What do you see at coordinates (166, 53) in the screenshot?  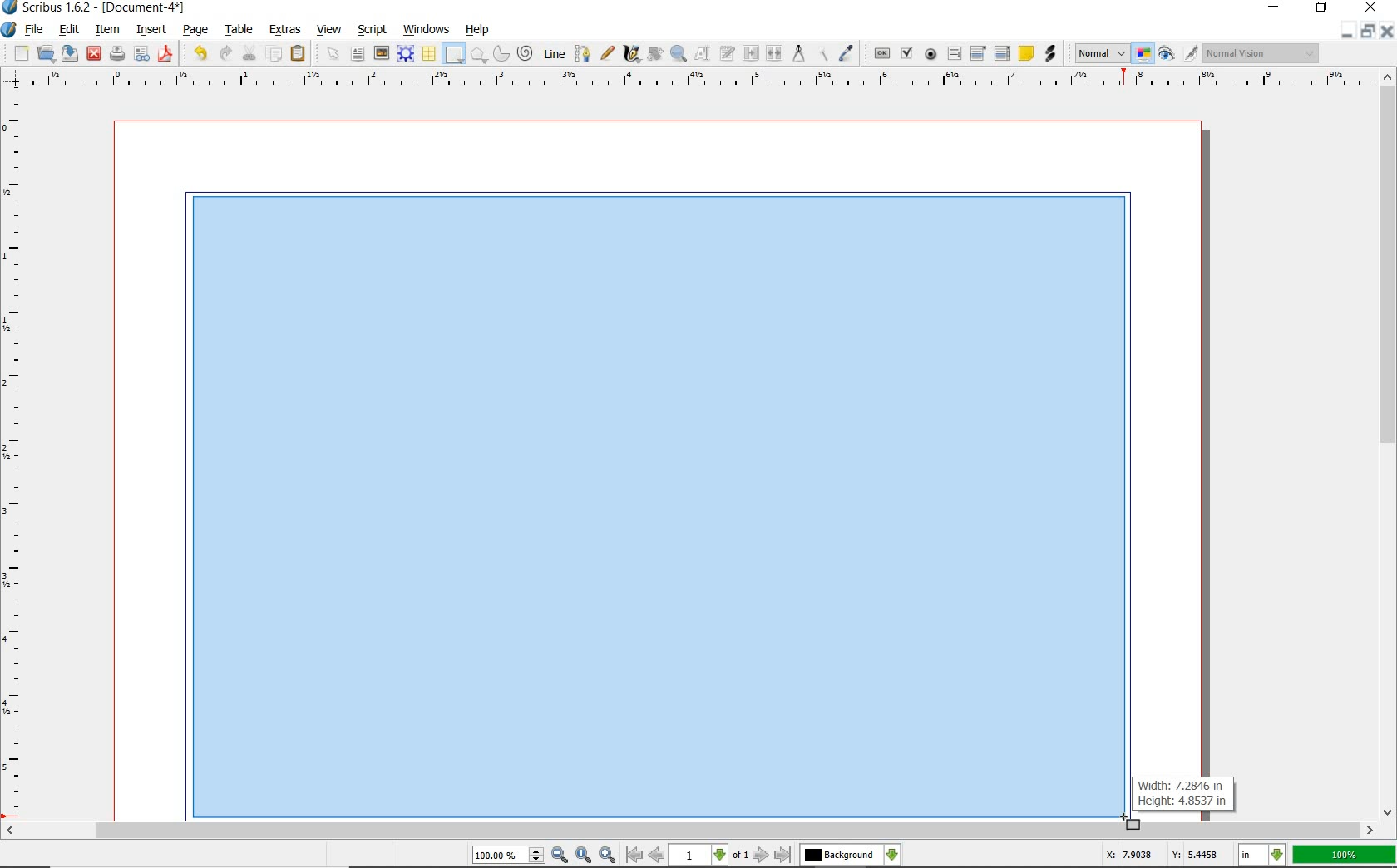 I see `save as pdf` at bounding box center [166, 53].